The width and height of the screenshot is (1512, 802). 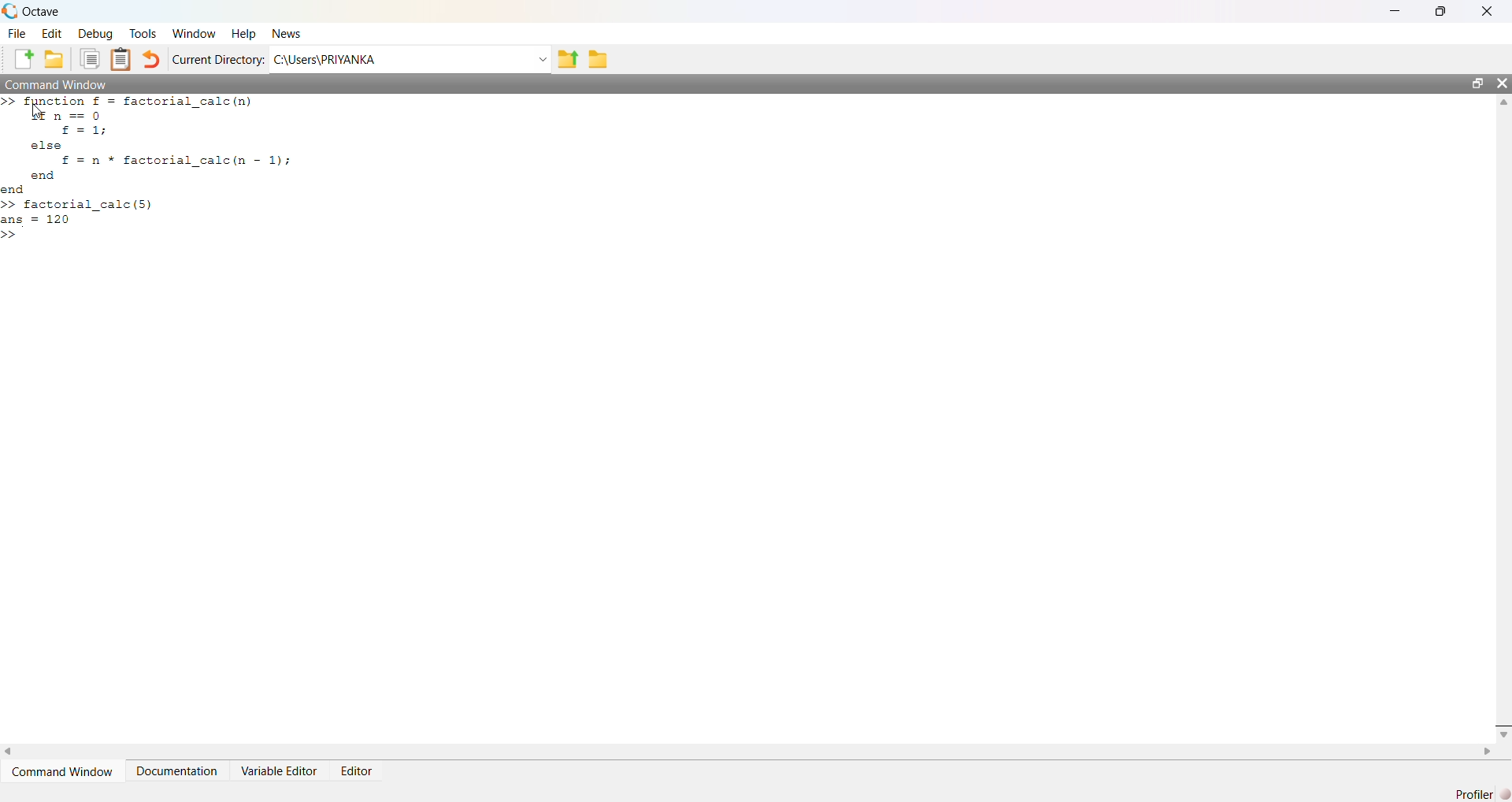 I want to click on maximise, so click(x=1444, y=9).